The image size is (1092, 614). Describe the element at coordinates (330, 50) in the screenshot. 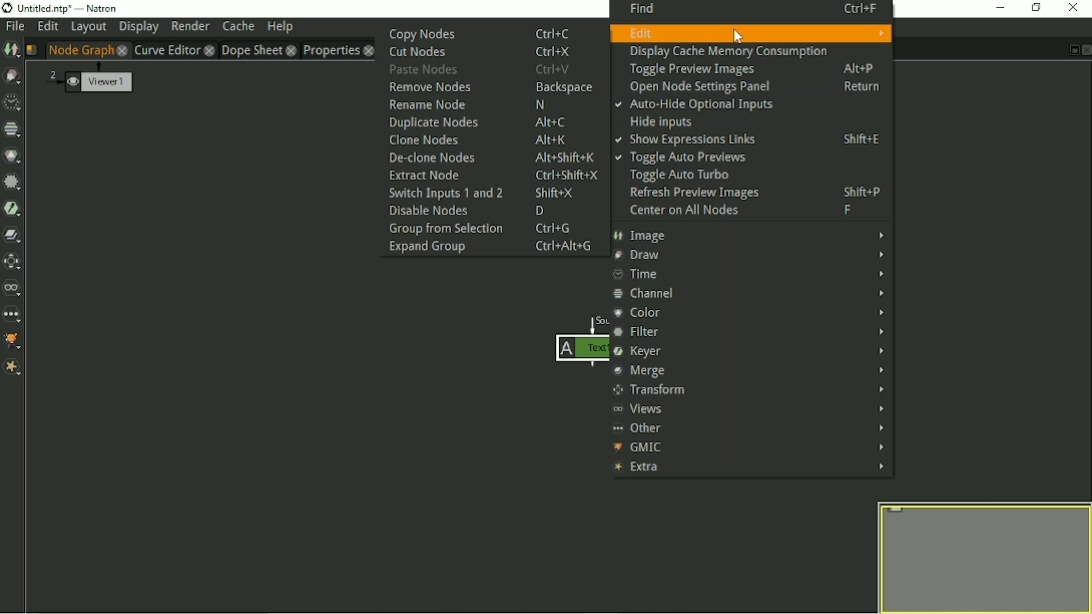

I see `Properties` at that location.